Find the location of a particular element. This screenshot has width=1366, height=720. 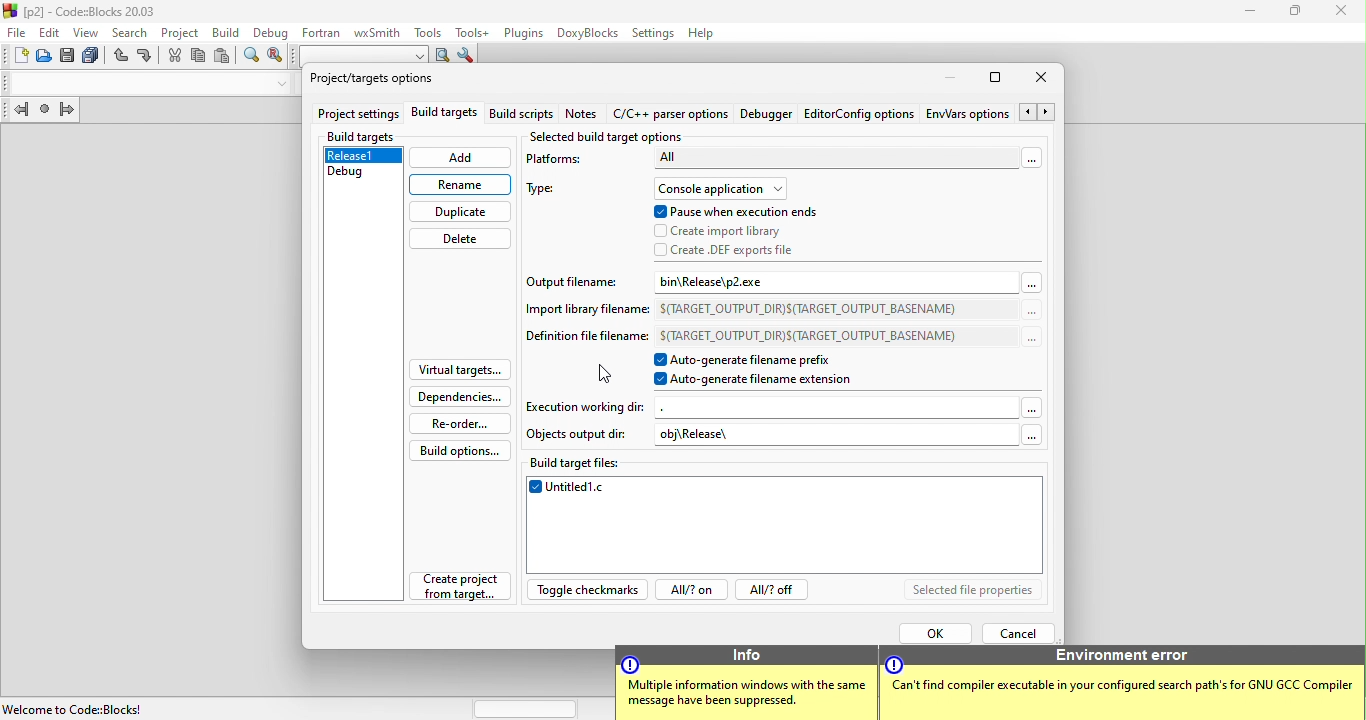

build is located at coordinates (223, 31).